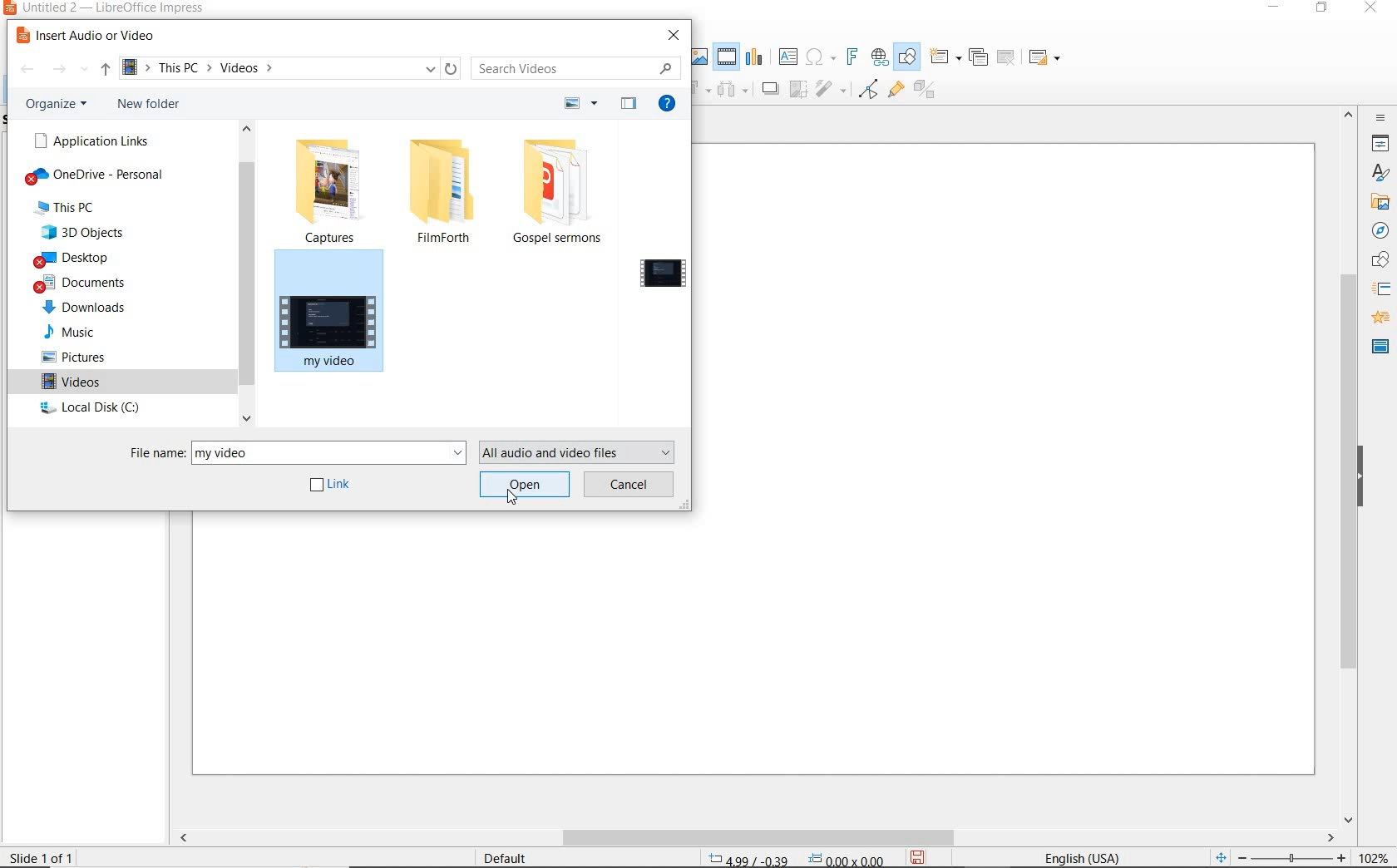  What do you see at coordinates (96, 175) in the screenshot?
I see `OneDrive` at bounding box center [96, 175].